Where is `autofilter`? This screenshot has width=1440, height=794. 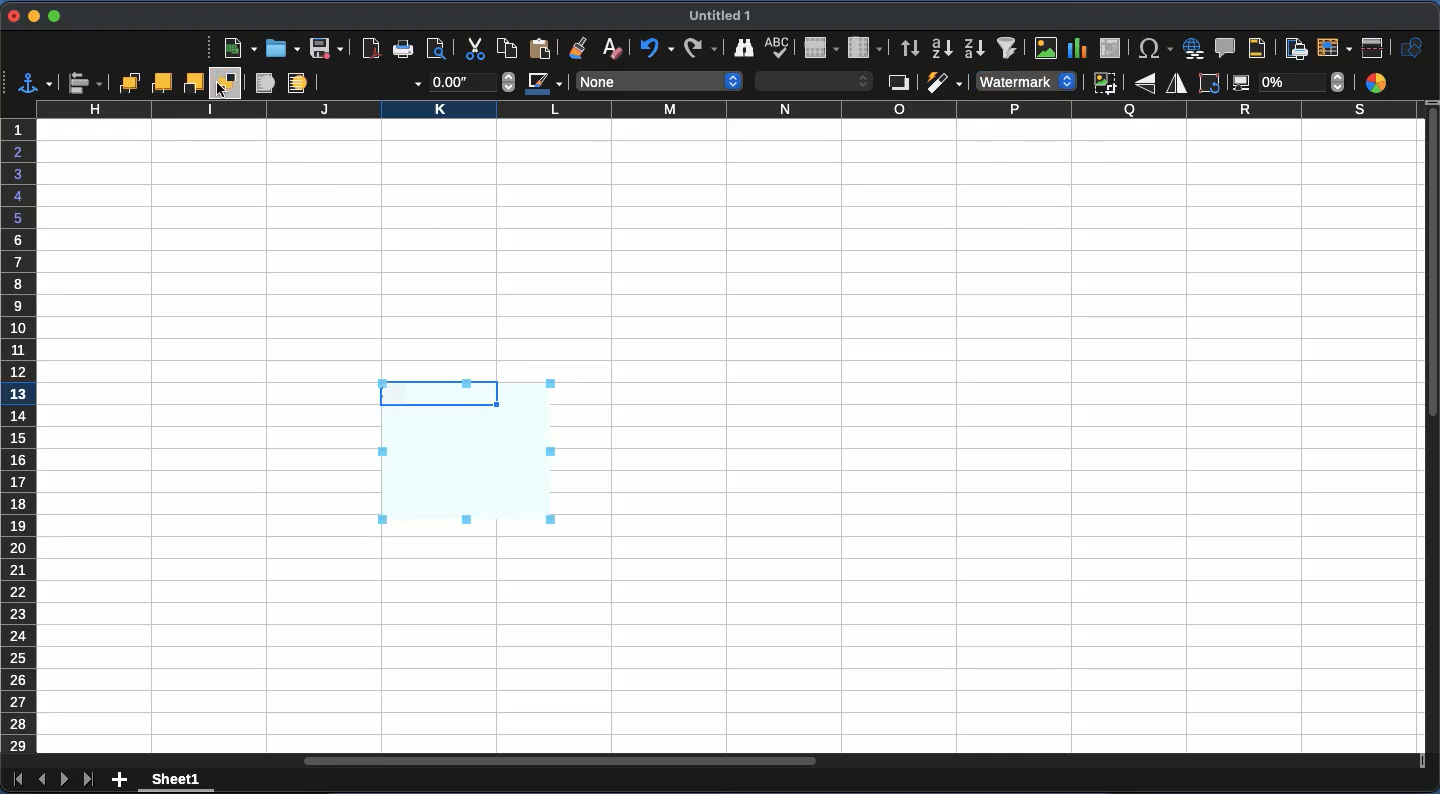 autofilter is located at coordinates (1011, 48).